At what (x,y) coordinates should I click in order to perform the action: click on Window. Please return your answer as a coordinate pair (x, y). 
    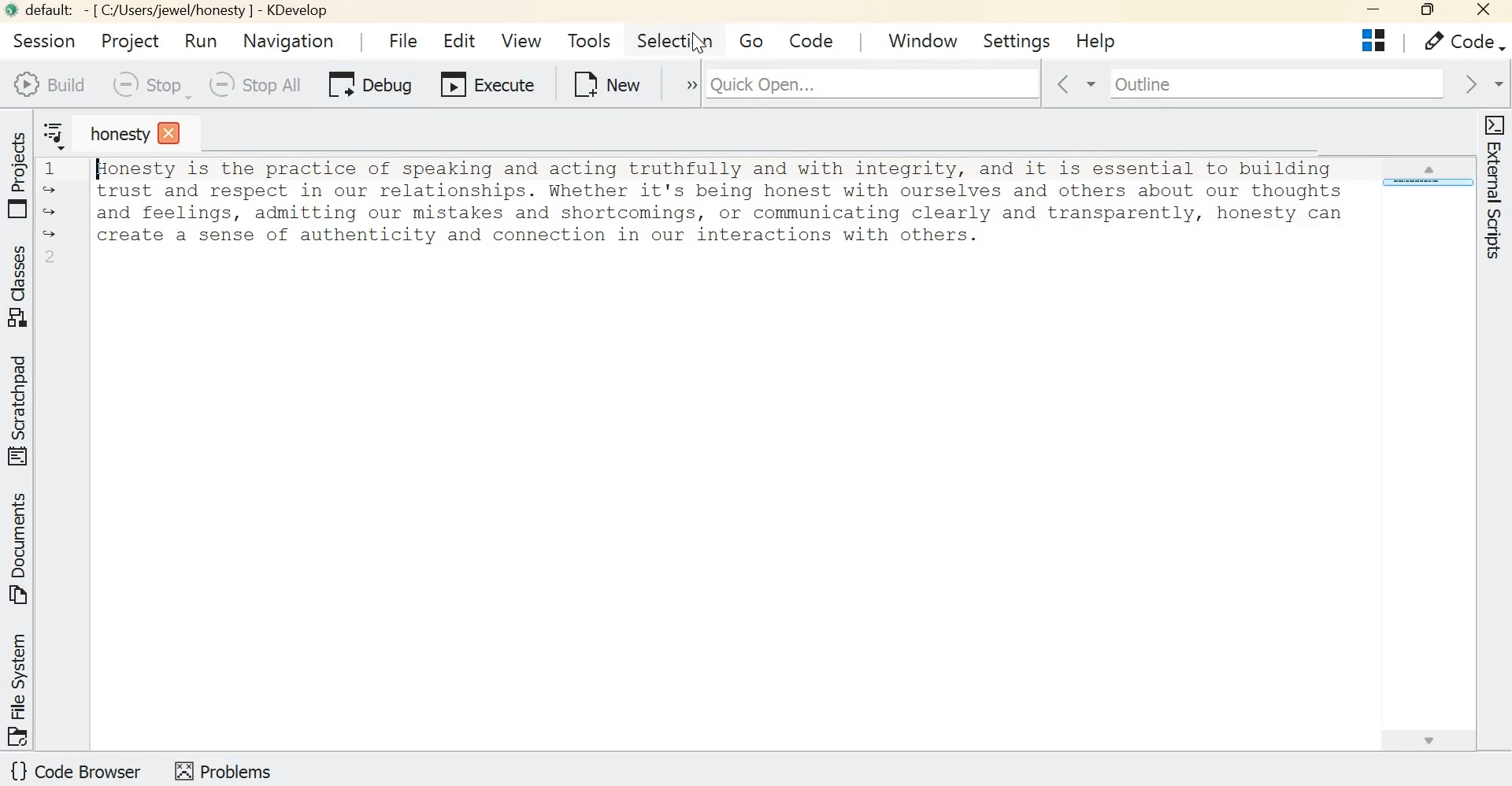
    Looking at the image, I should click on (928, 39).